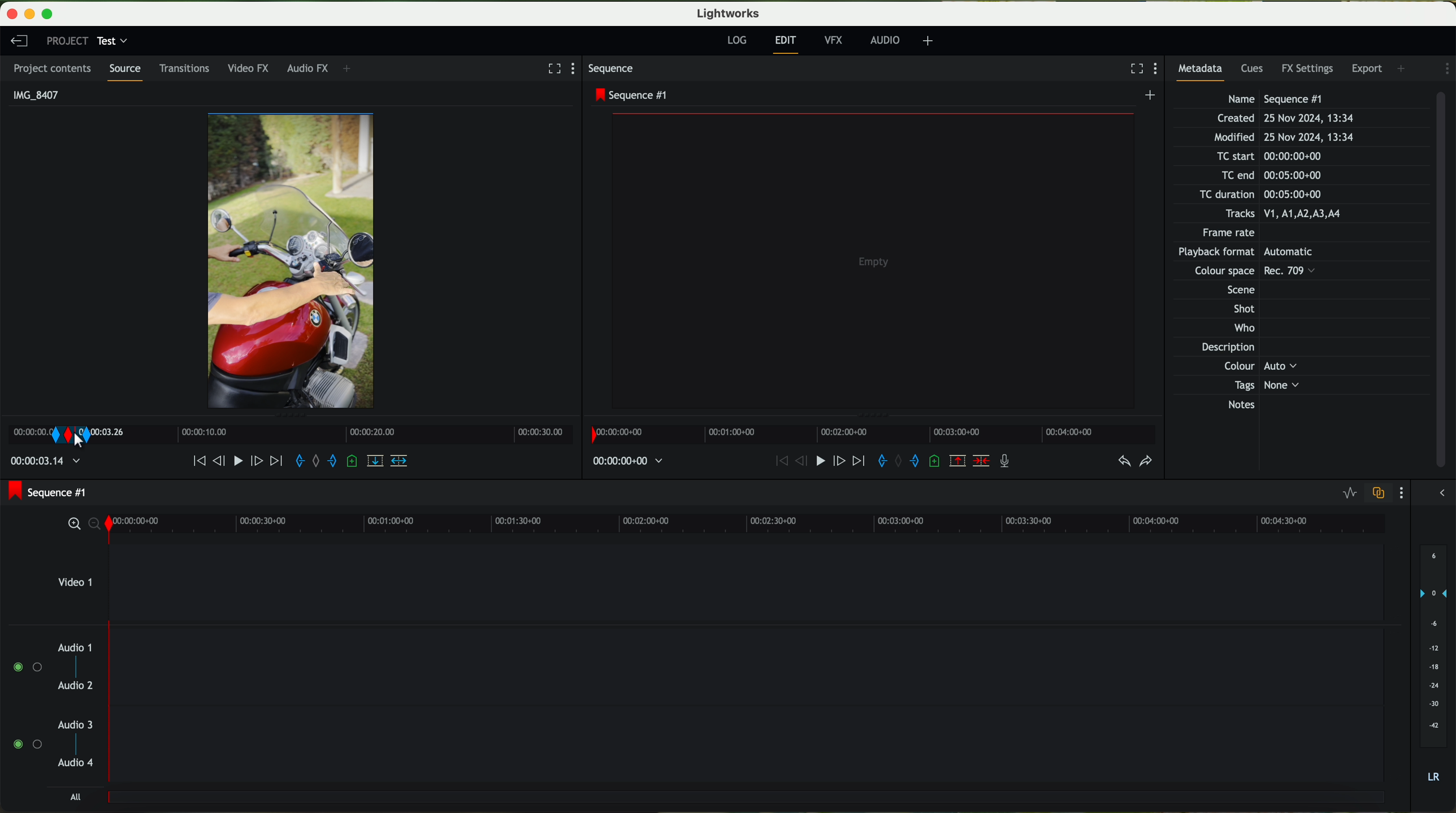  I want to click on timeline, so click(747, 526).